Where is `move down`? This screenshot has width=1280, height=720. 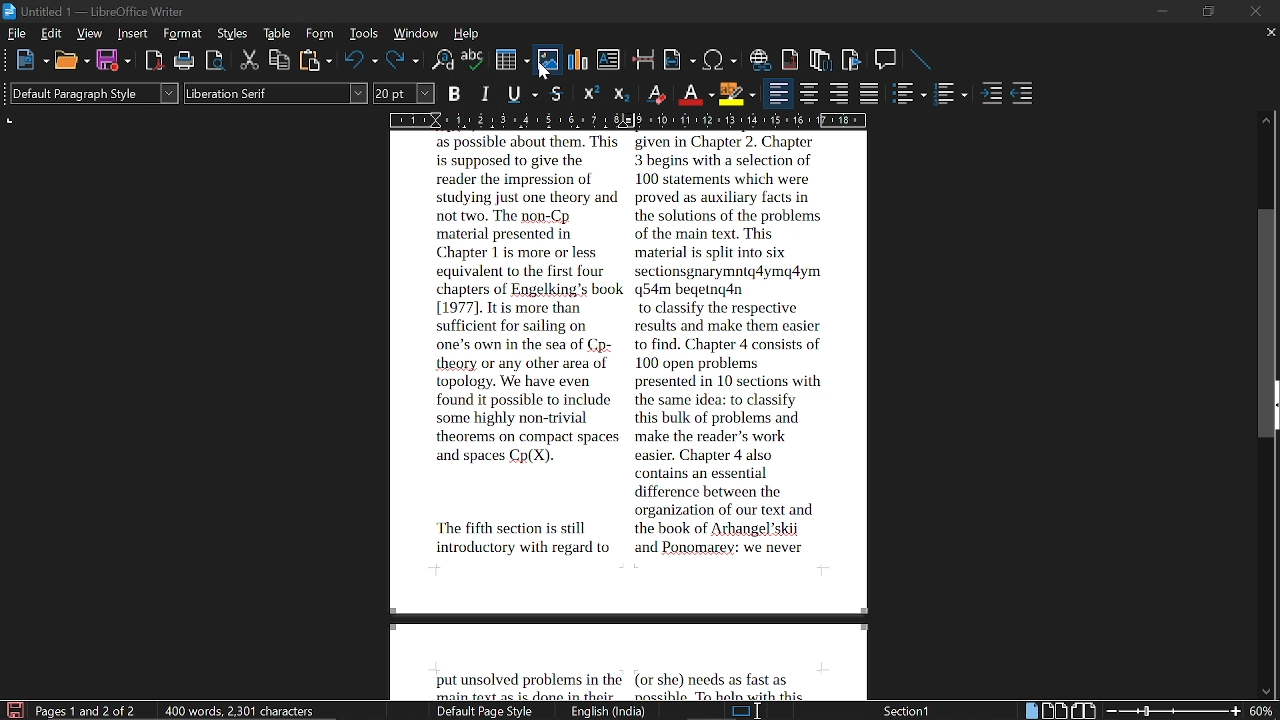
move down is located at coordinates (1267, 688).